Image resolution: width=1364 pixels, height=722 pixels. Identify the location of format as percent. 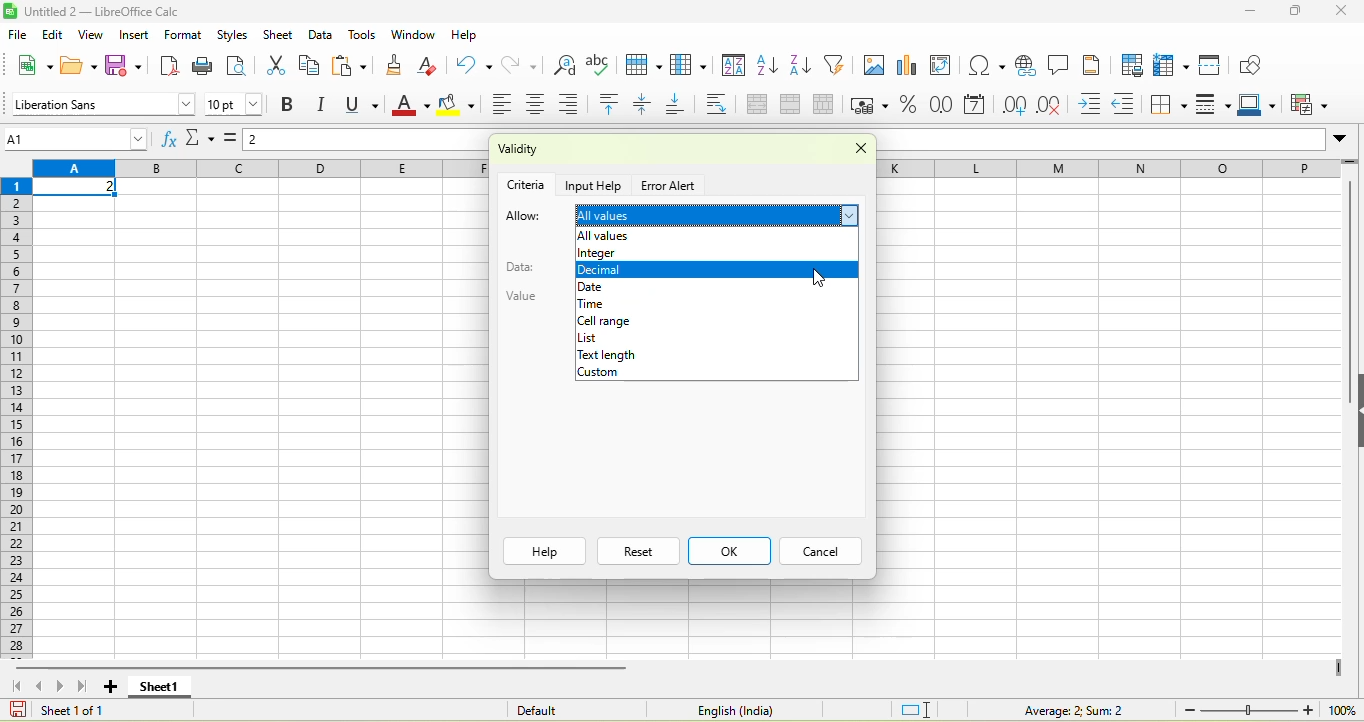
(909, 106).